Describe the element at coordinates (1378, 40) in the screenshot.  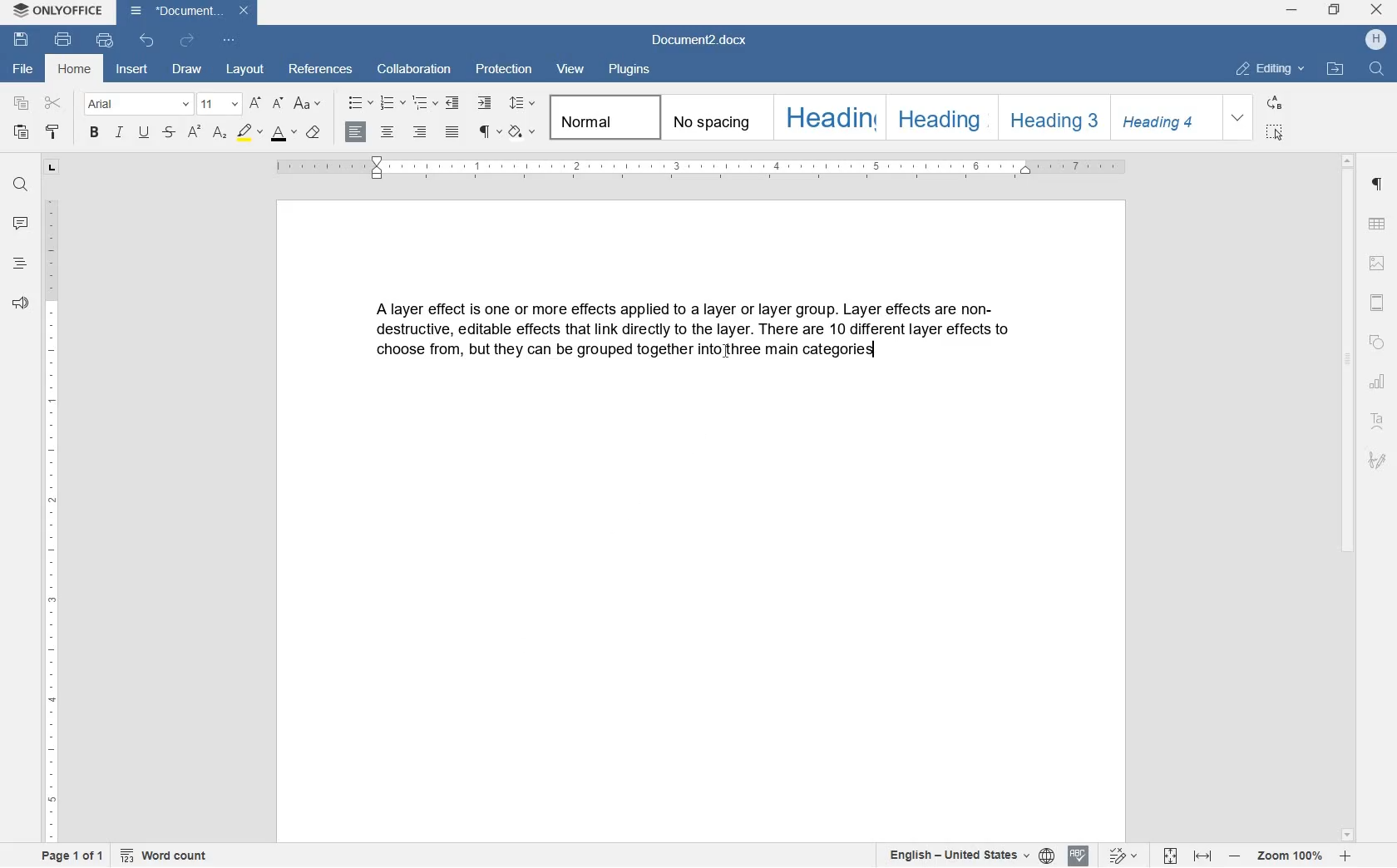
I see `hp` at that location.